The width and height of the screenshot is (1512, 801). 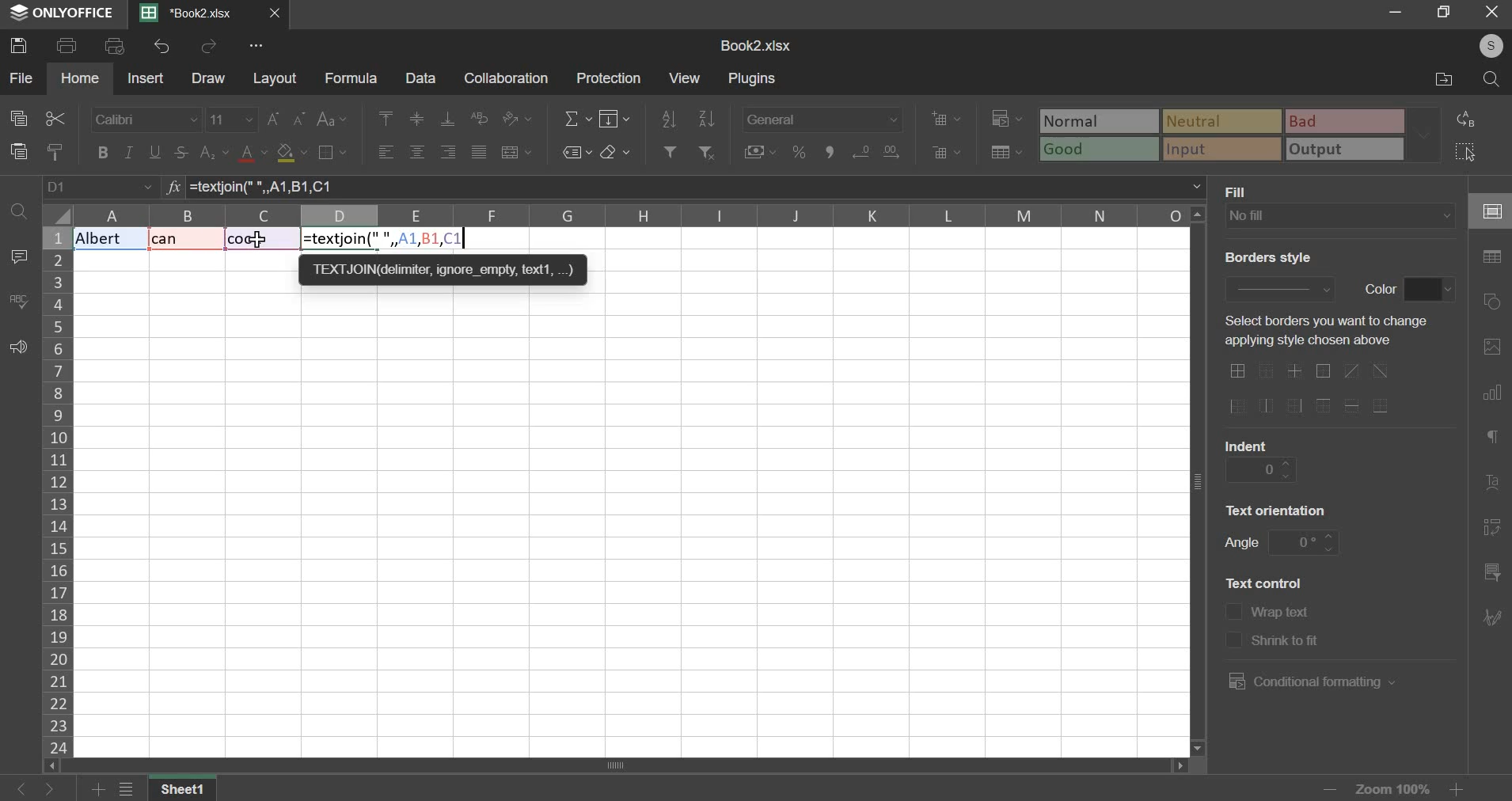 I want to click on copy style, so click(x=56, y=151).